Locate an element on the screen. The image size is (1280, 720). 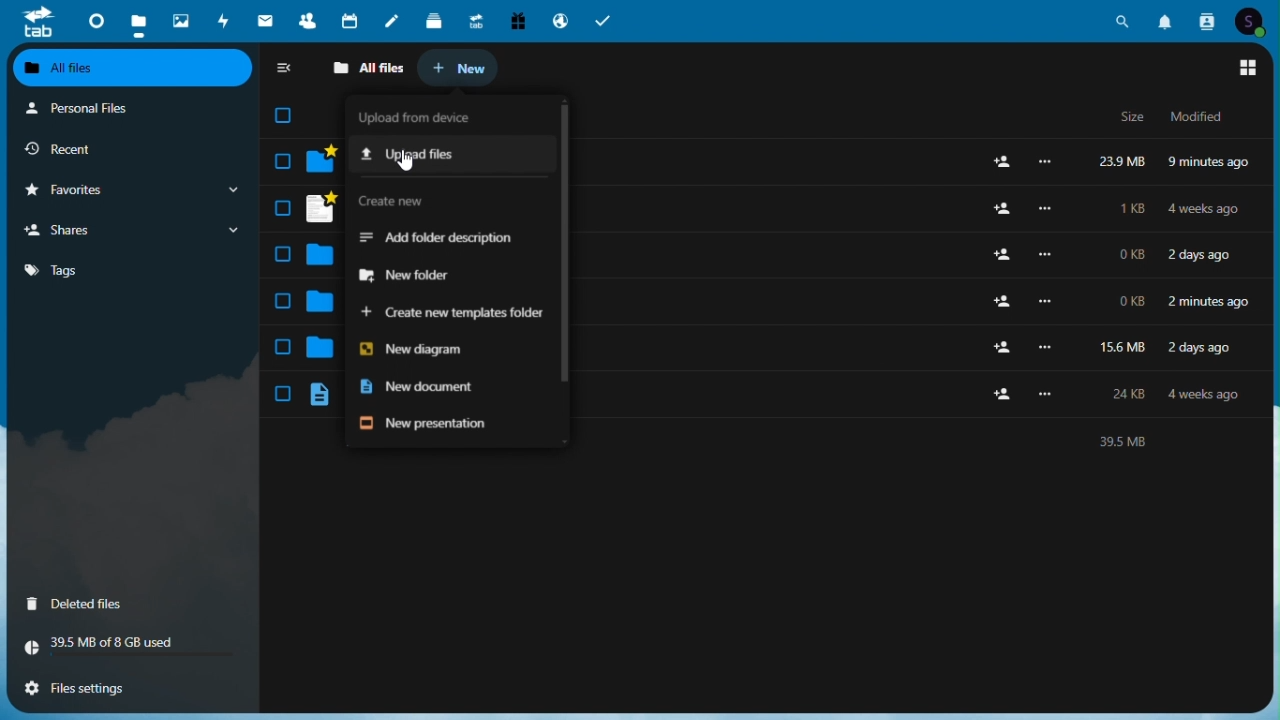
tab is located at coordinates (39, 21).